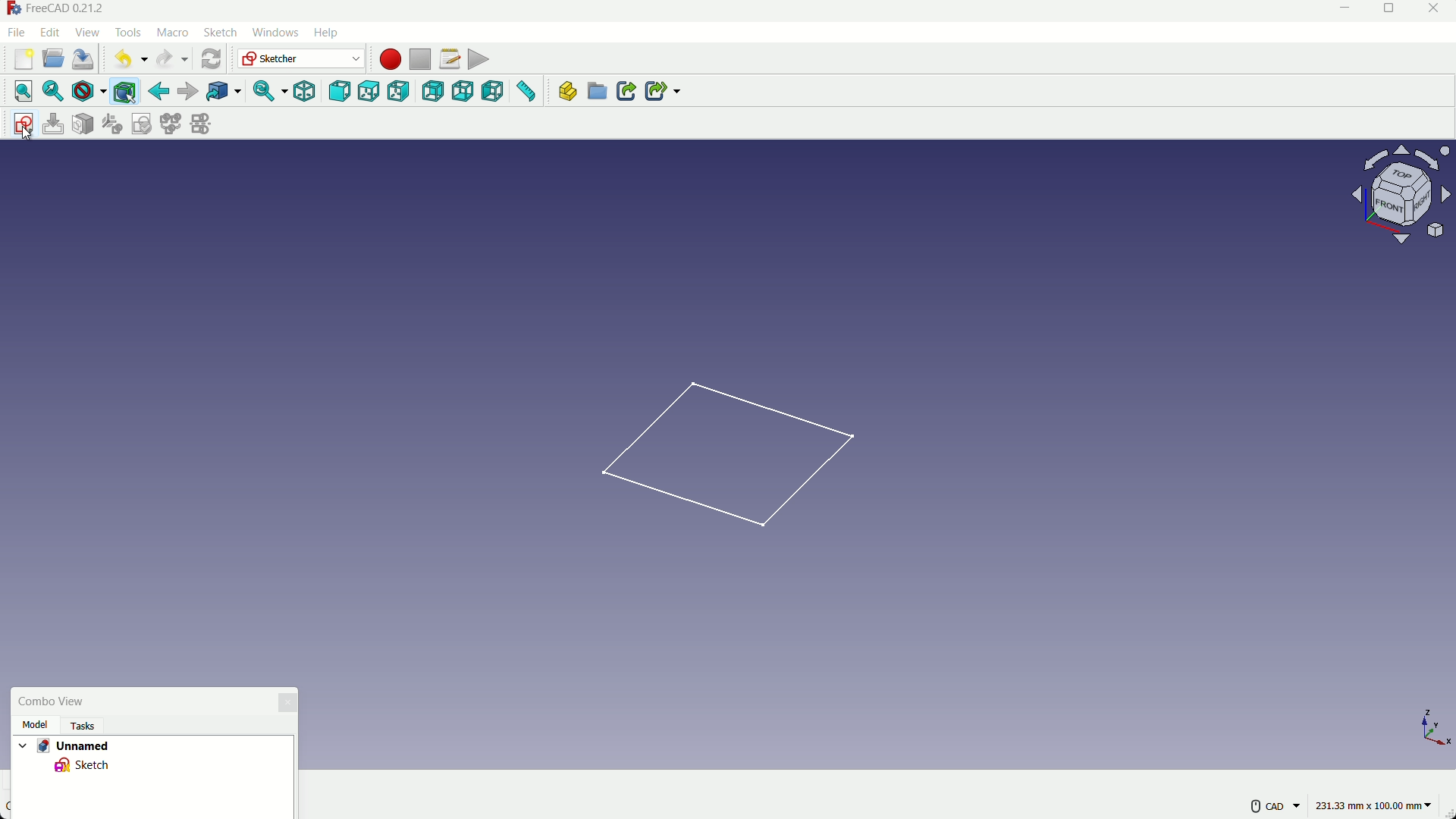 This screenshot has width=1456, height=819. What do you see at coordinates (57, 8) in the screenshot?
I see `app name - FreeCAD 0.21.2` at bounding box center [57, 8].